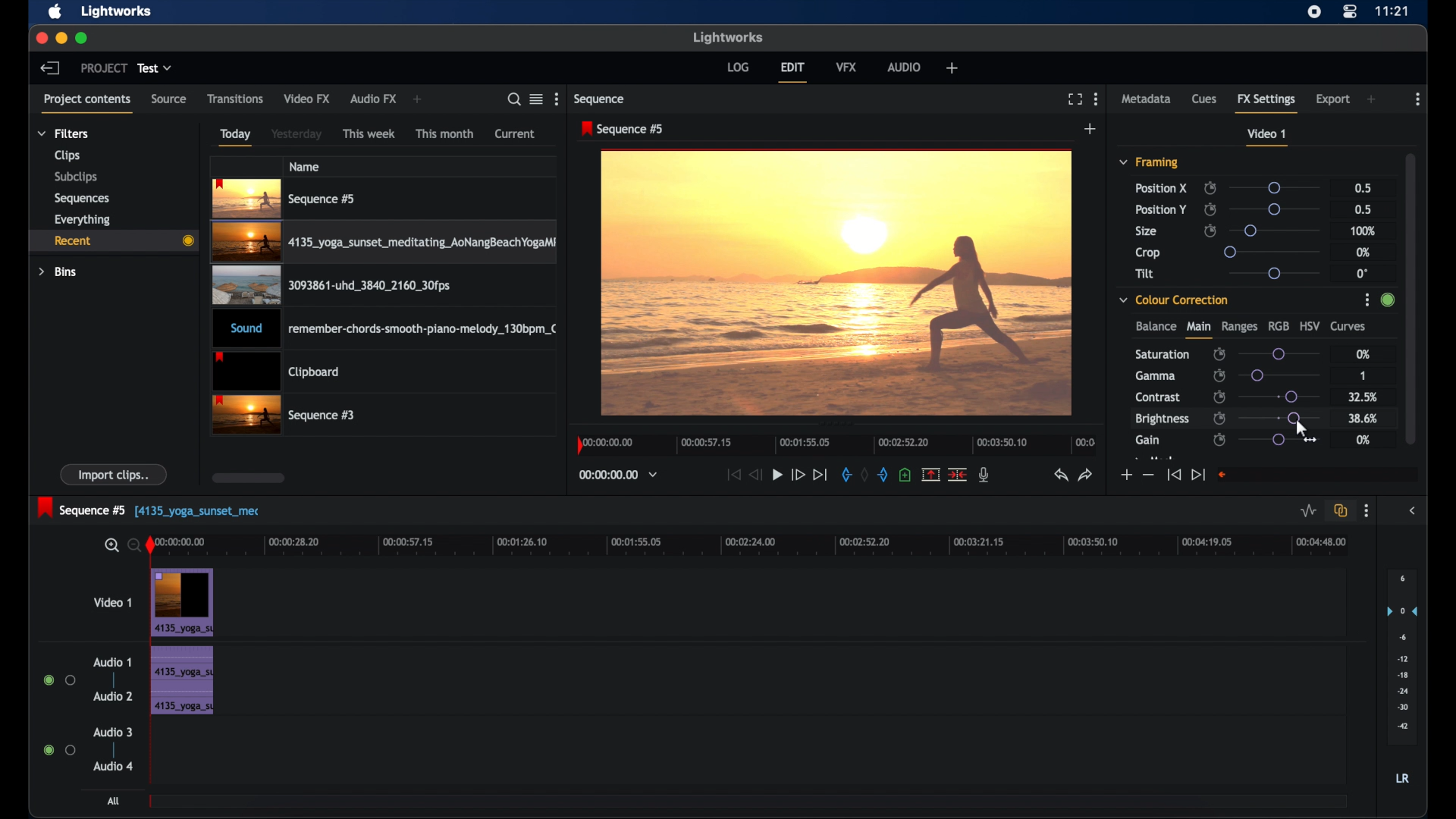 This screenshot has width=1456, height=819. I want to click on 0%, so click(1360, 356).